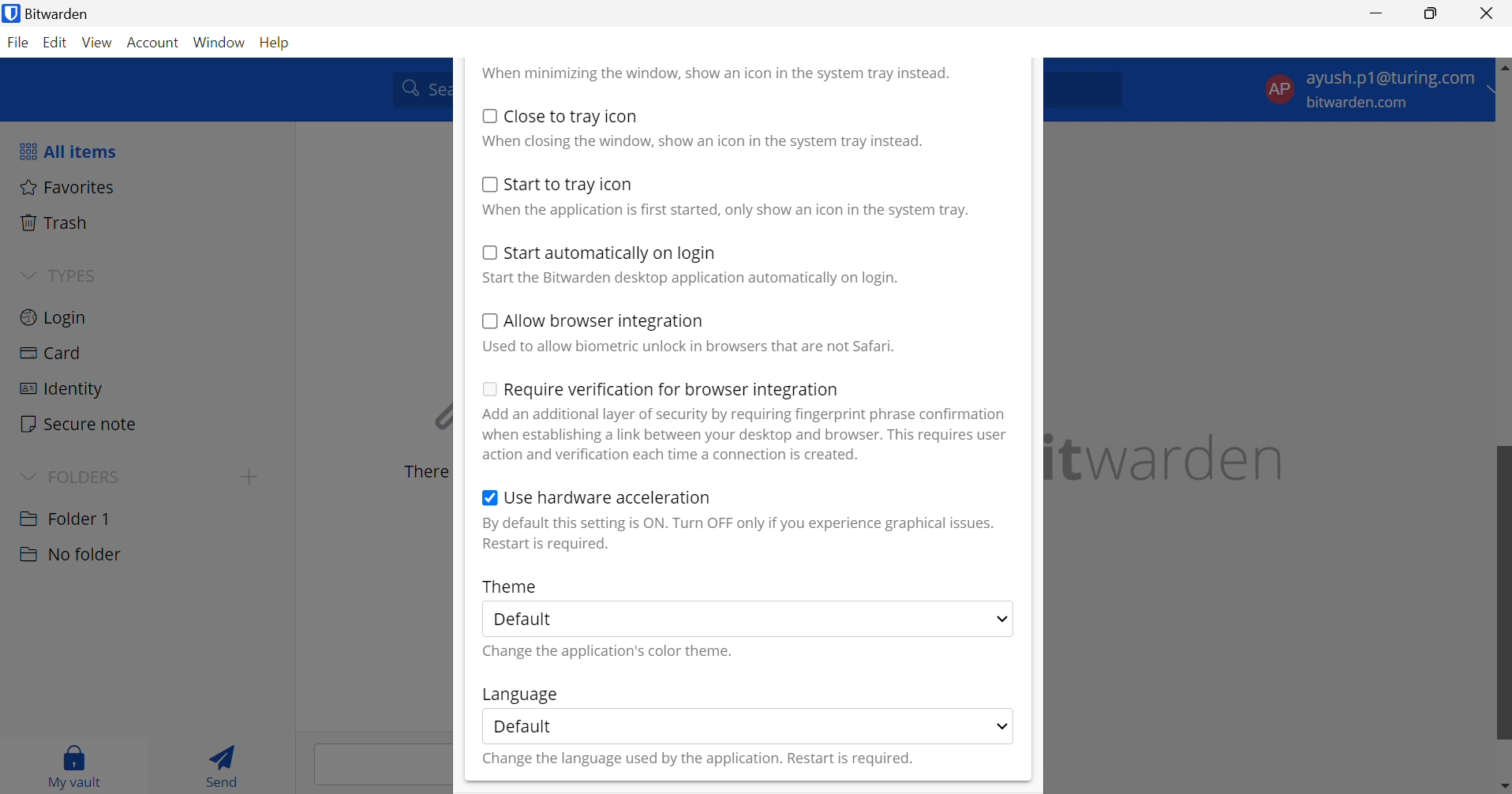 This screenshot has width=1512, height=794. What do you see at coordinates (608, 497) in the screenshot?
I see `Use hardware acceleration` at bounding box center [608, 497].